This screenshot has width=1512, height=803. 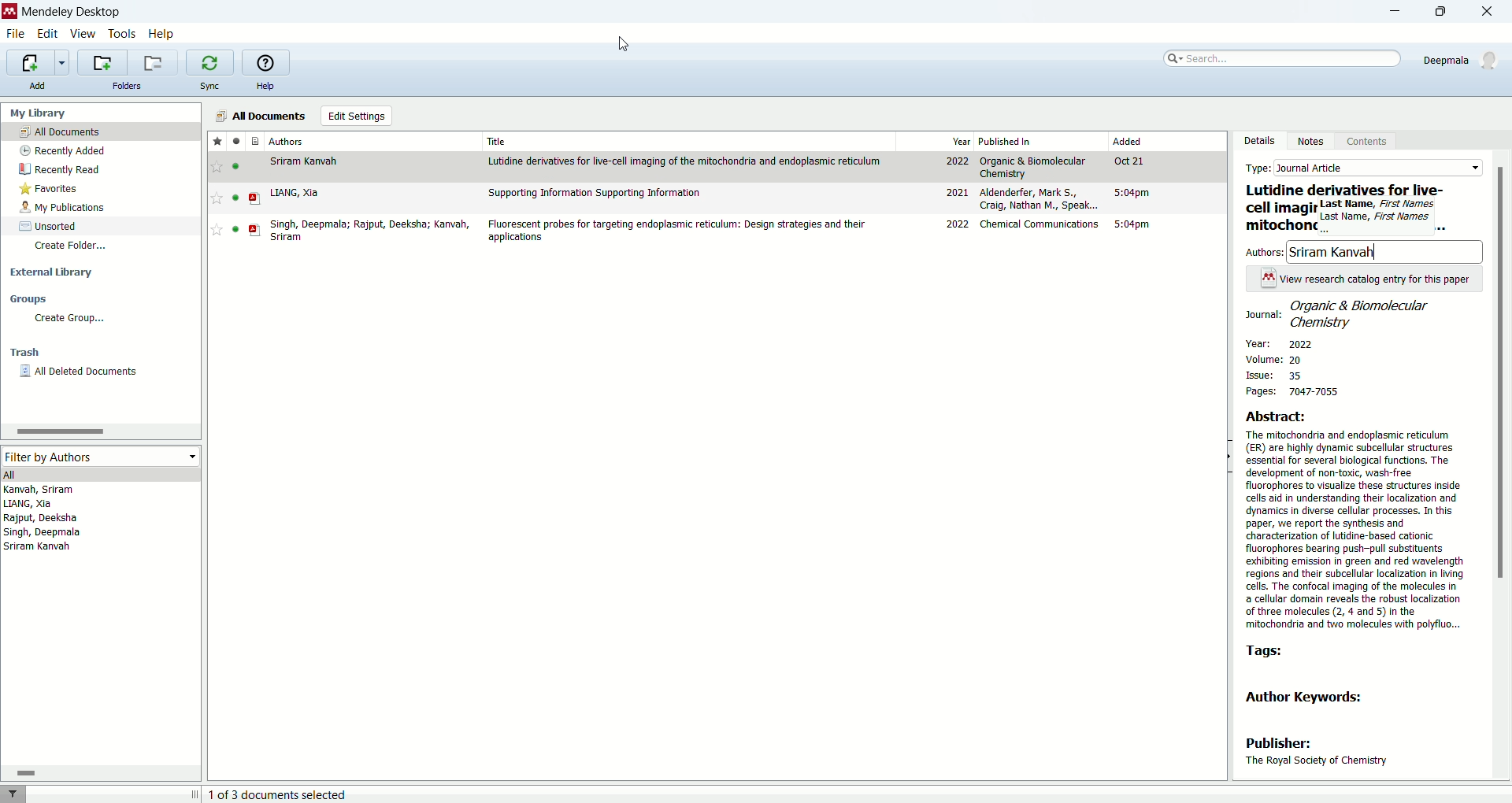 What do you see at coordinates (955, 192) in the screenshot?
I see `2021` at bounding box center [955, 192].